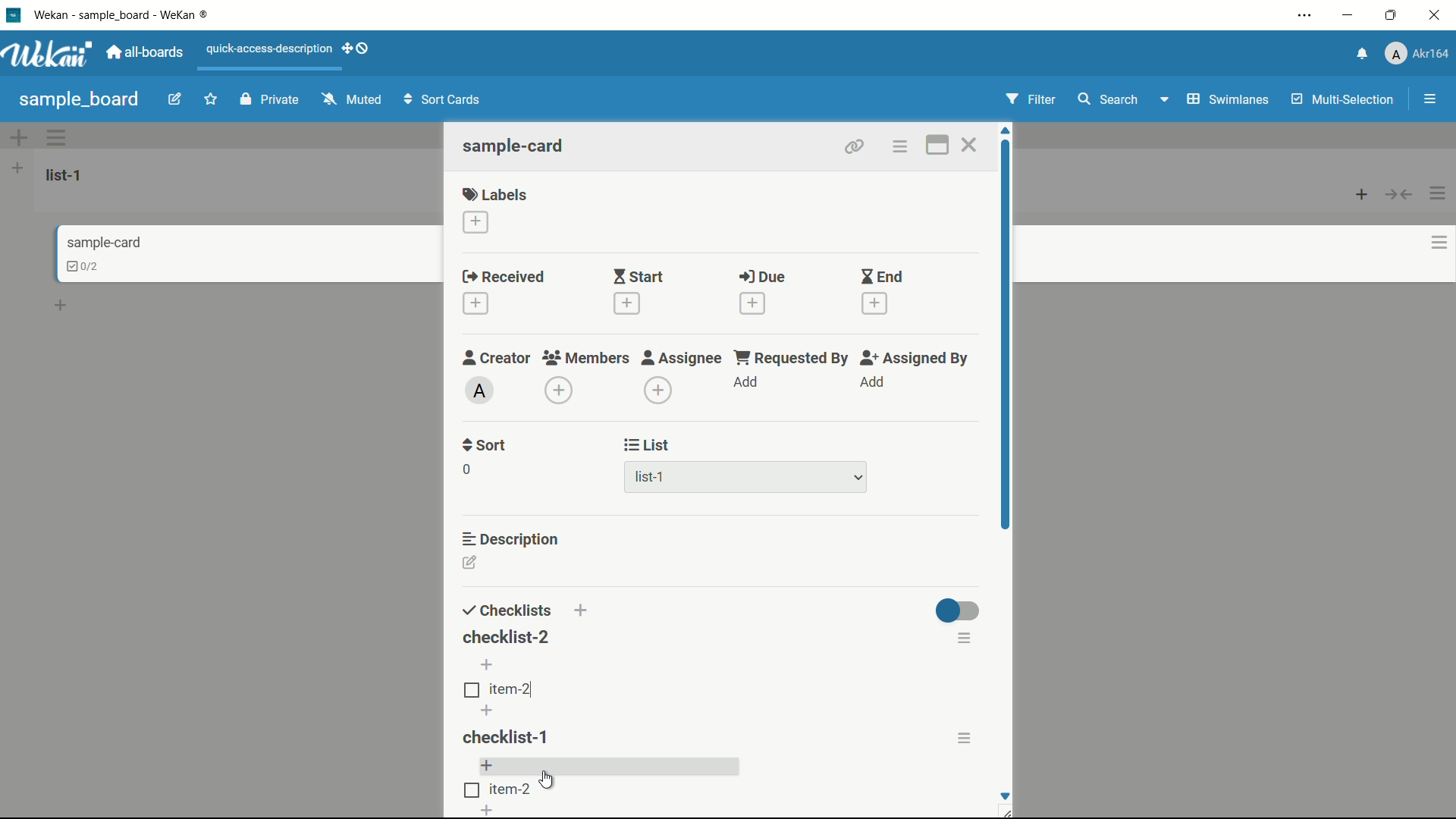 This screenshot has height=819, width=1456. Describe the element at coordinates (444, 101) in the screenshot. I see `sort cards` at that location.